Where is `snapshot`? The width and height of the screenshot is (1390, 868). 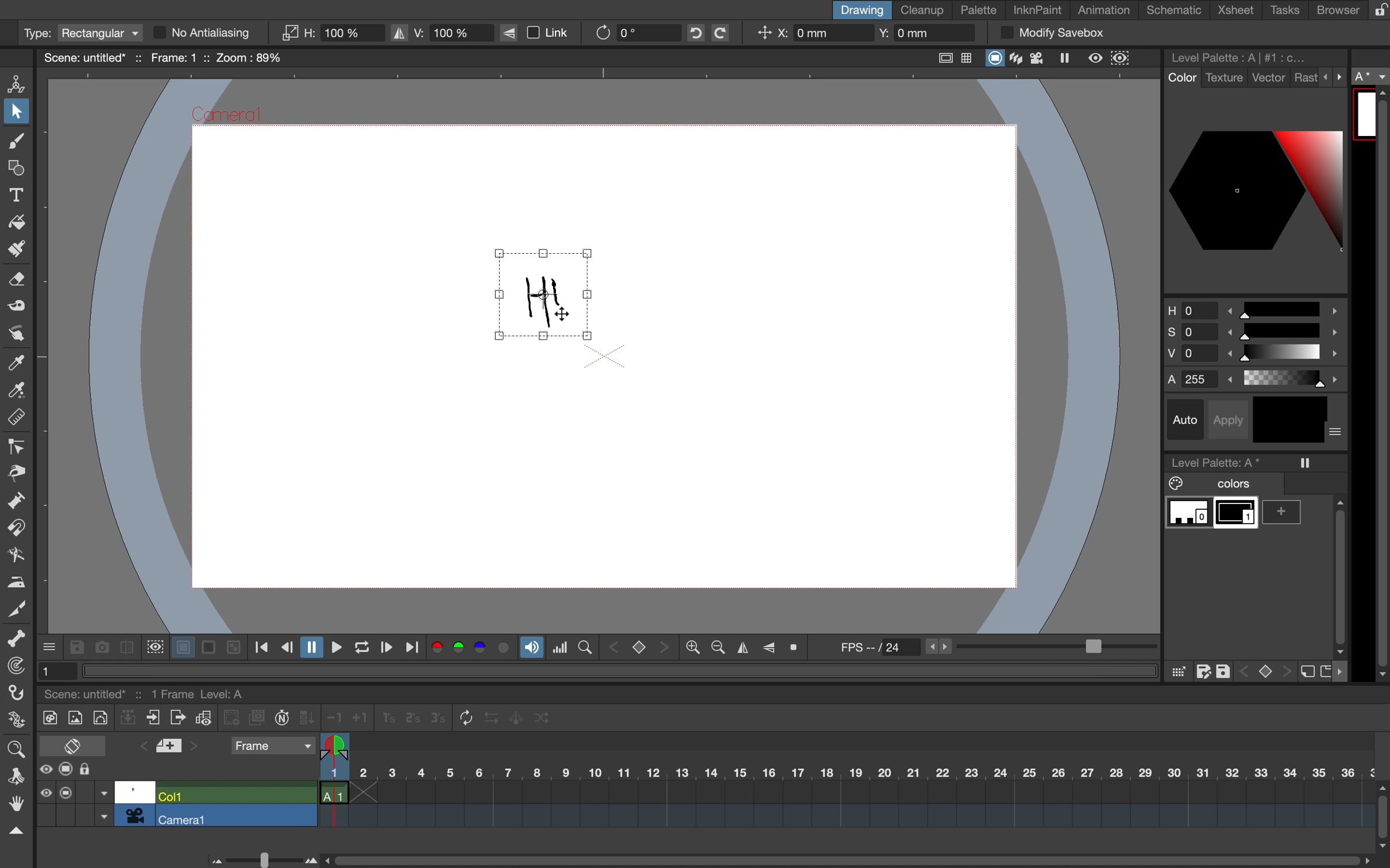 snapshot is located at coordinates (100, 646).